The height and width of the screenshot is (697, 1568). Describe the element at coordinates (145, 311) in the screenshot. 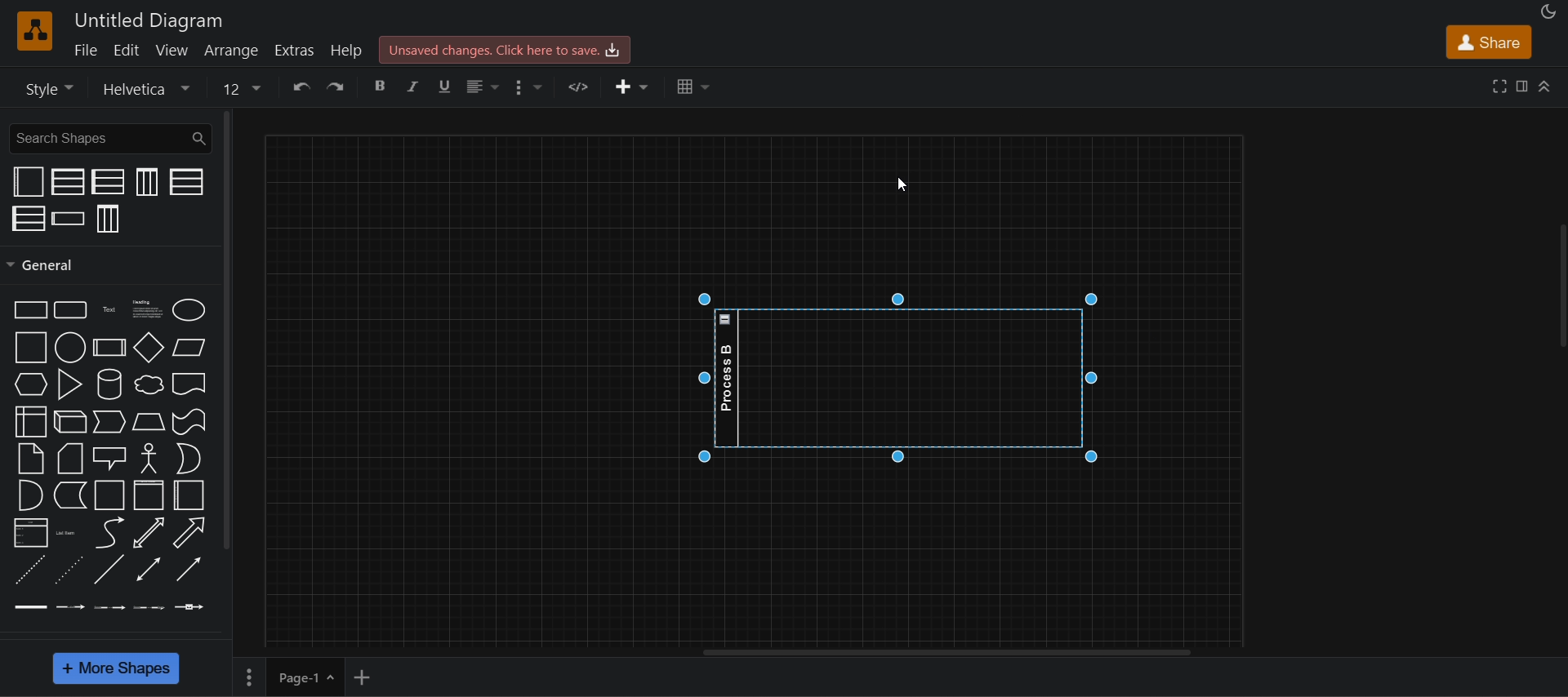

I see `heading text box` at that location.